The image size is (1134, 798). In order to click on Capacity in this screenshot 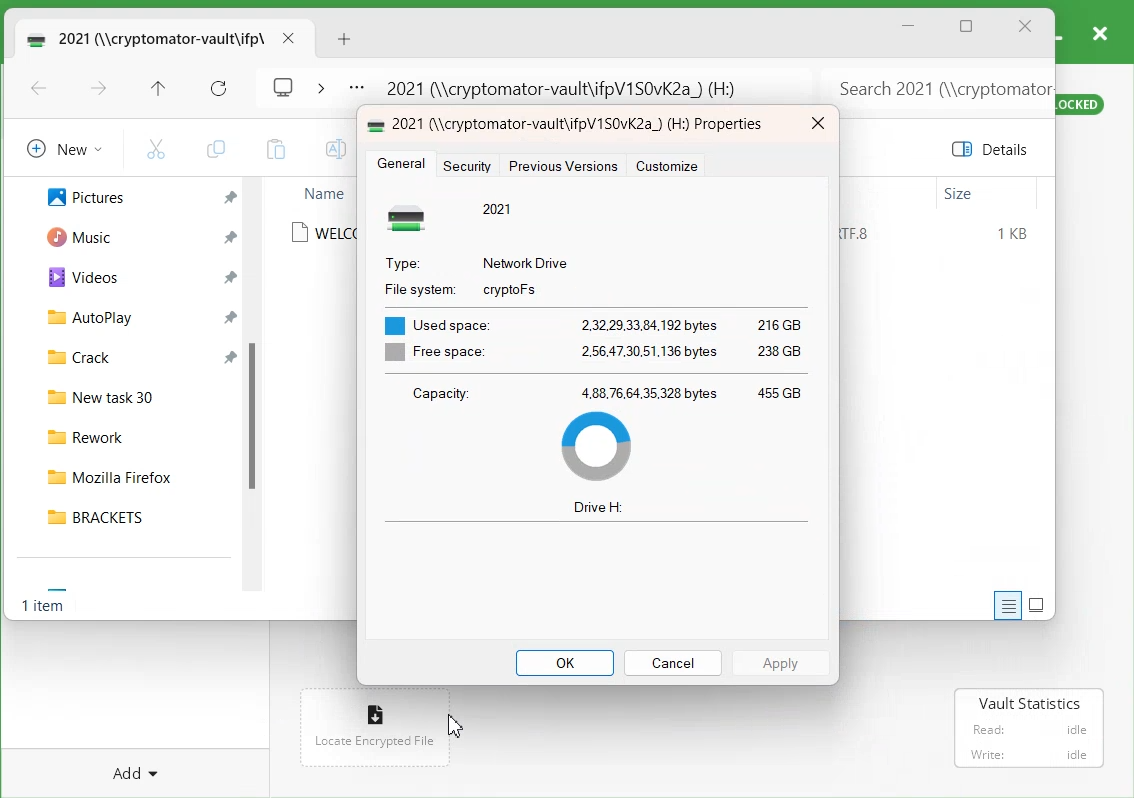, I will do `click(439, 393)`.